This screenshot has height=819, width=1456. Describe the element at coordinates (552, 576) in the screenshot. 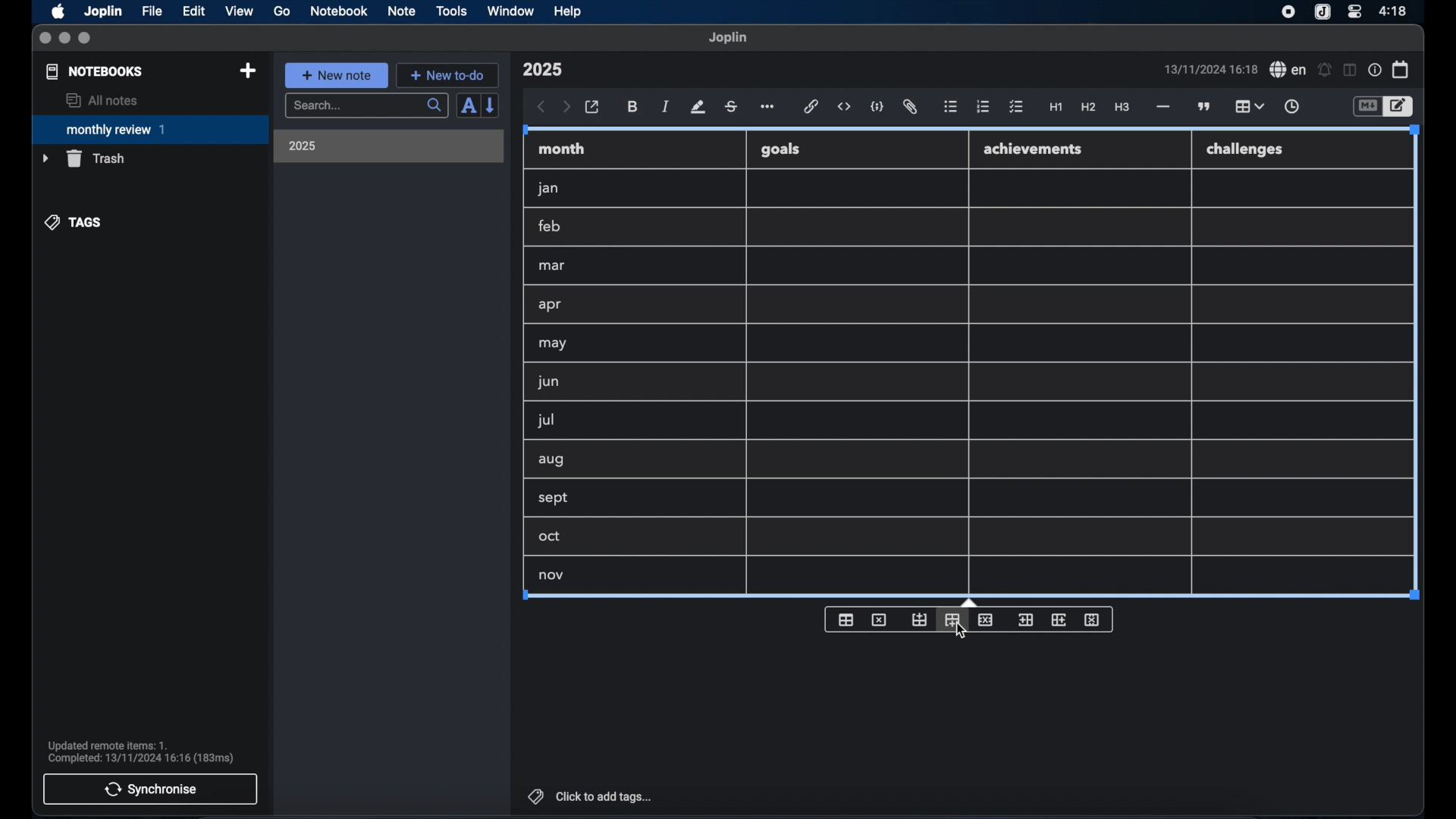

I see `nove` at that location.